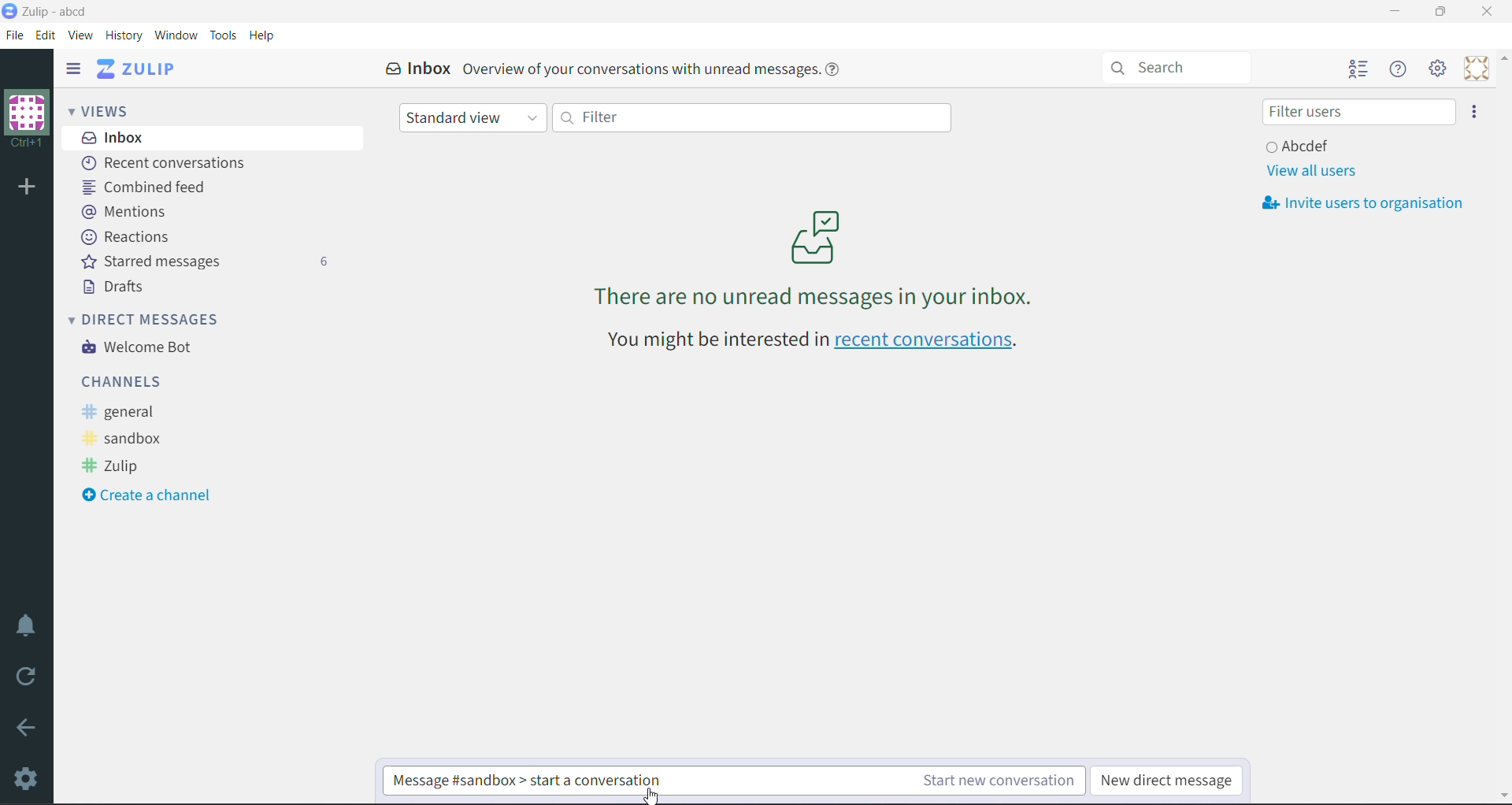  What do you see at coordinates (1489, 12) in the screenshot?
I see `Close` at bounding box center [1489, 12].